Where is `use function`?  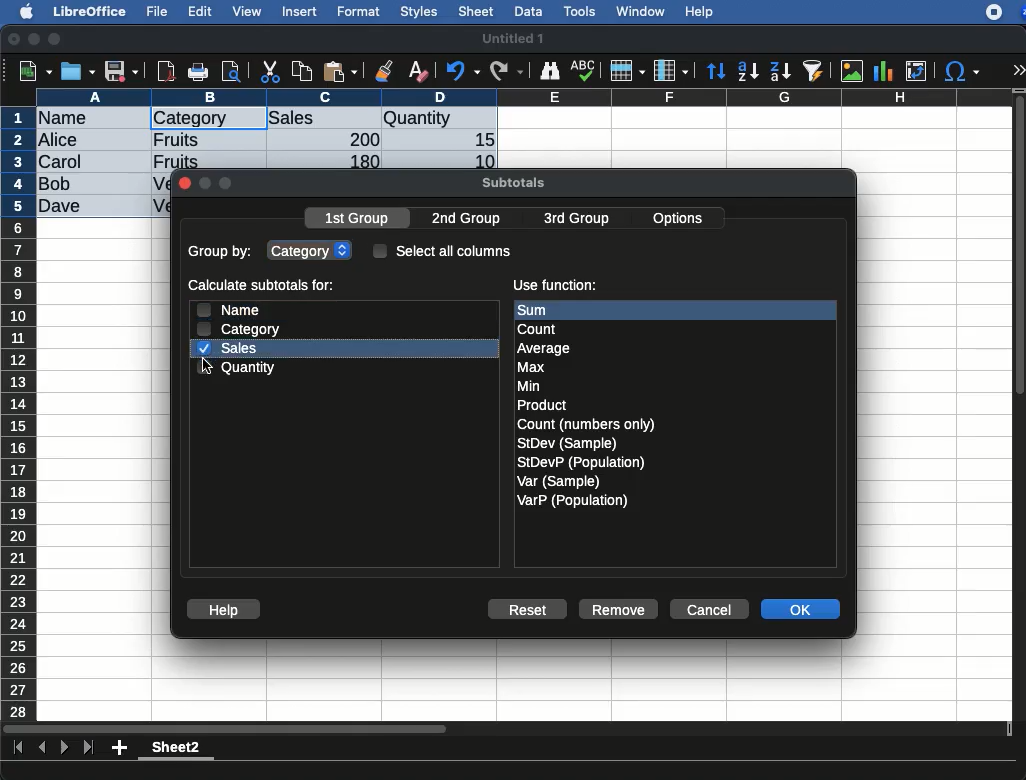 use function is located at coordinates (554, 286).